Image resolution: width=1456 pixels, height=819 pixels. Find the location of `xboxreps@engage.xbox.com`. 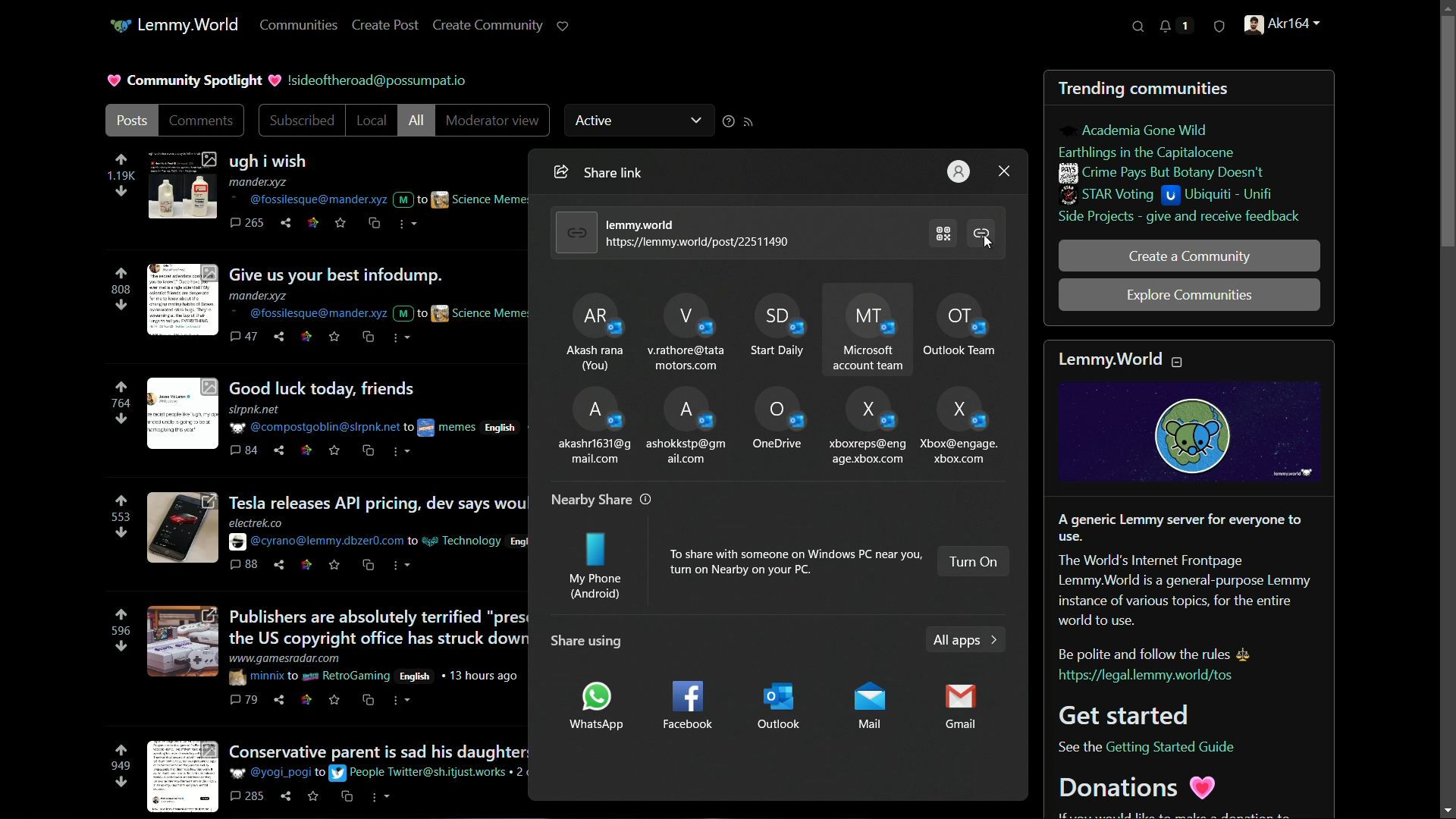

xboxreps@engage.xbox.com is located at coordinates (867, 425).